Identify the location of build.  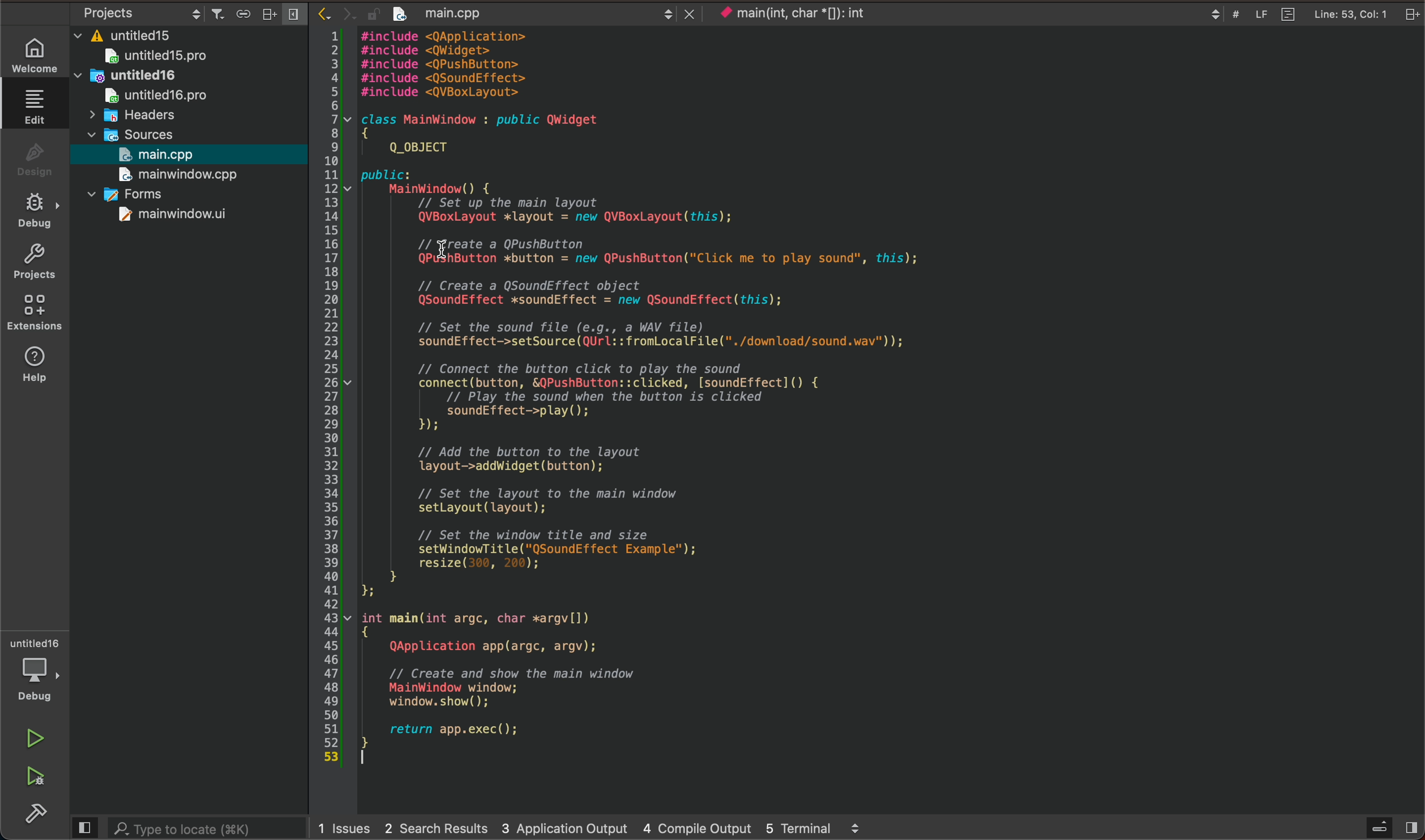
(40, 816).